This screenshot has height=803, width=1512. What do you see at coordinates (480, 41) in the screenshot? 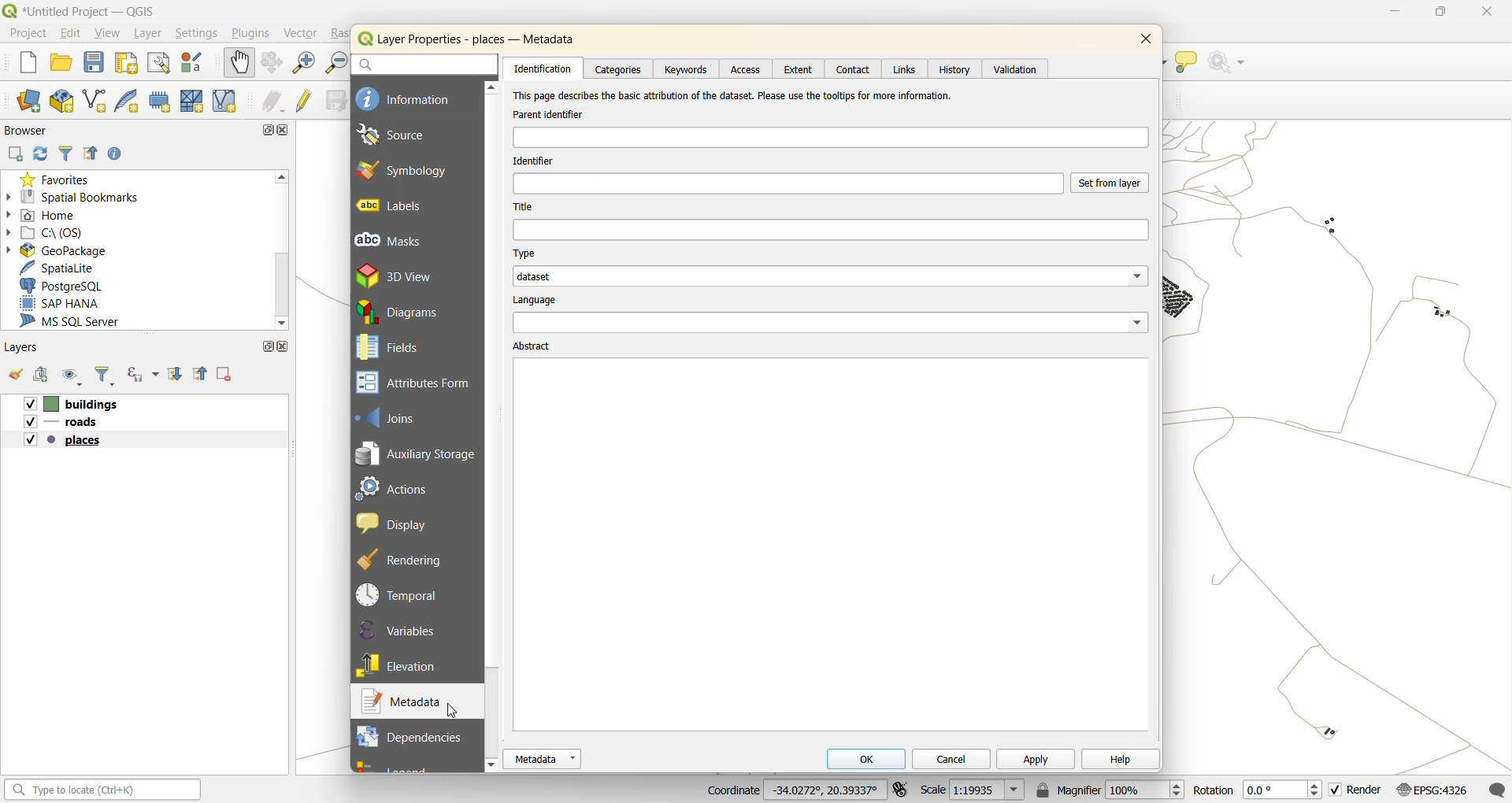
I see `layer properties` at bounding box center [480, 41].